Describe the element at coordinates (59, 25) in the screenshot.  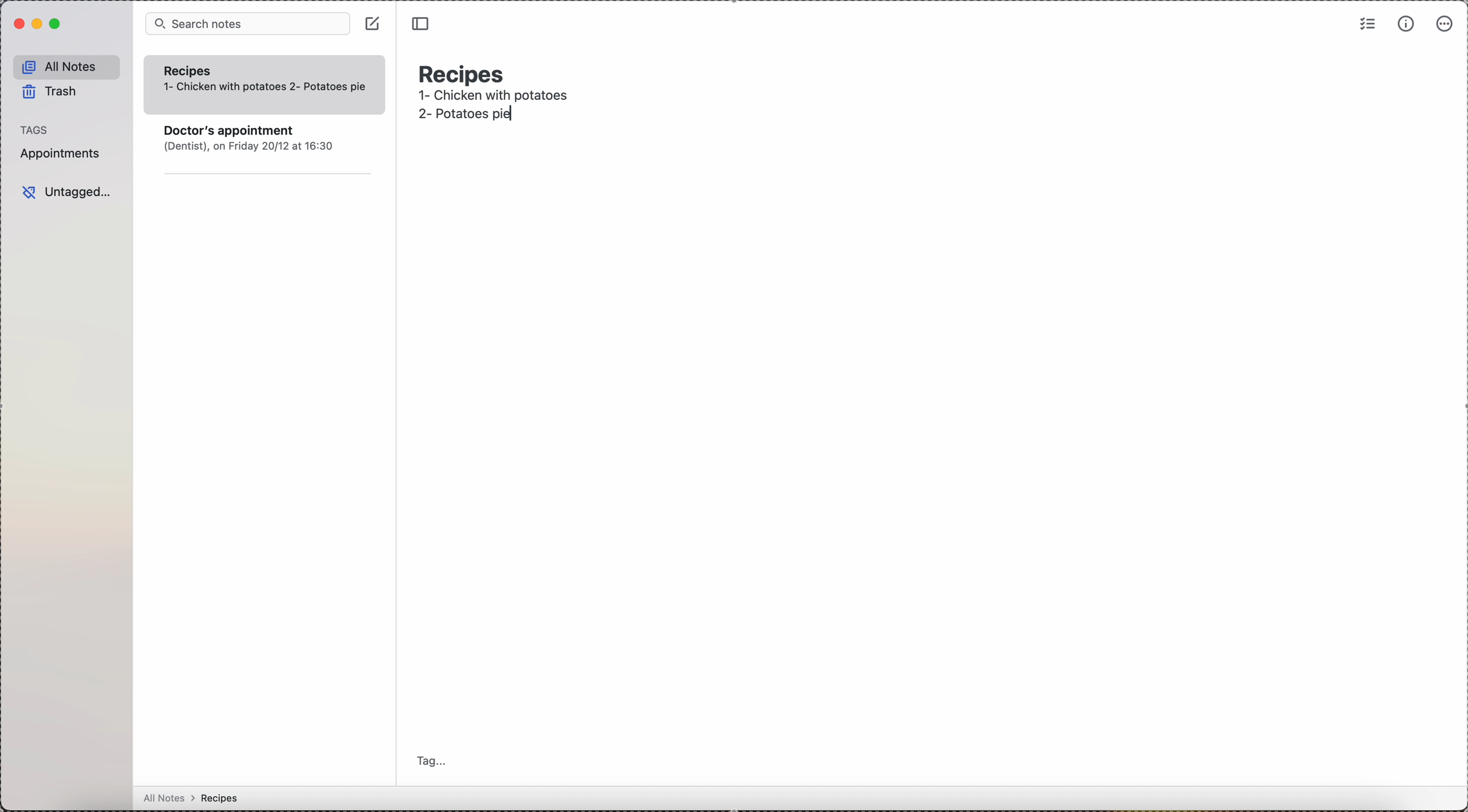
I see `maximize` at that location.